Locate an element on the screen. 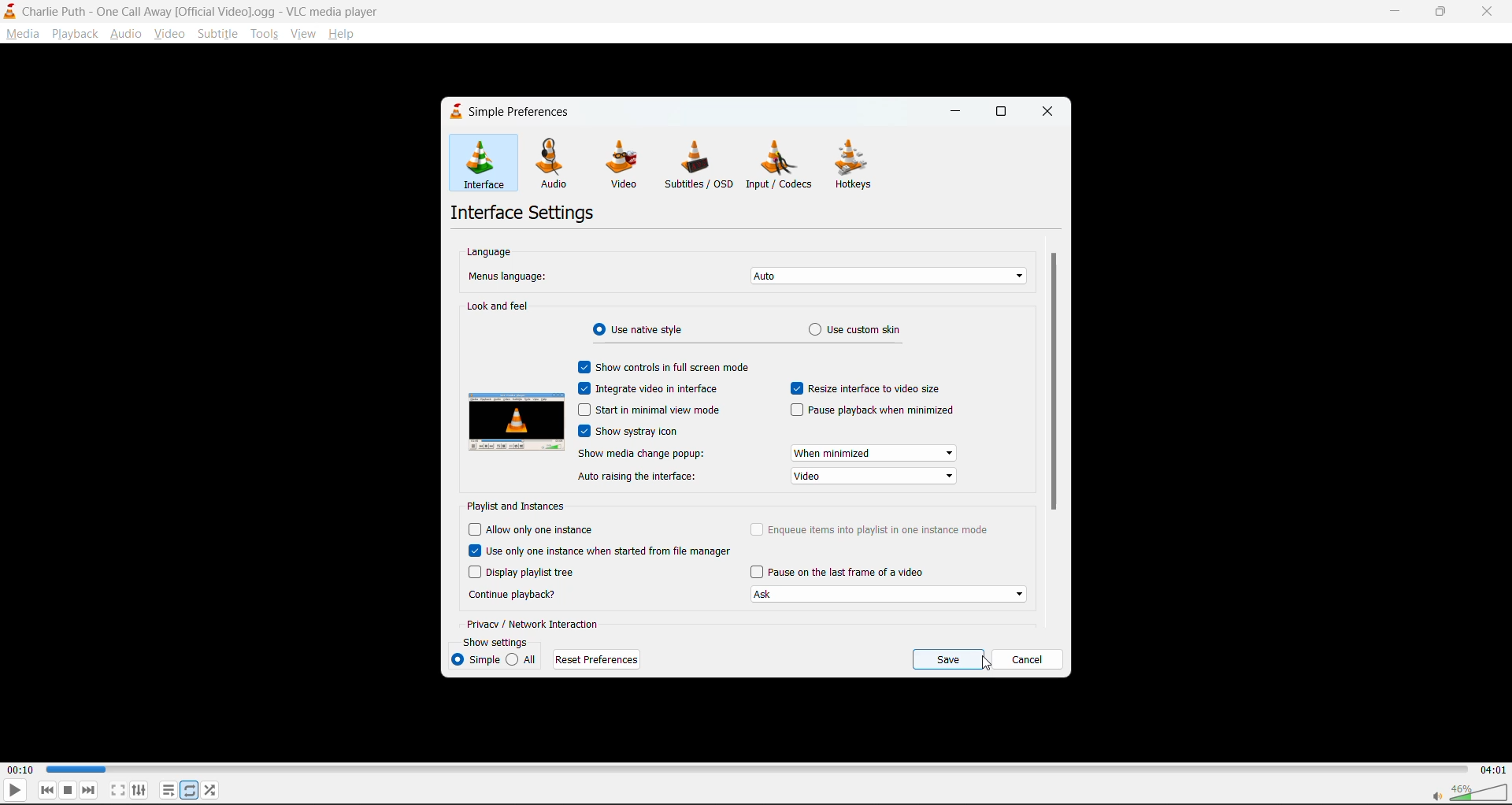 The width and height of the screenshot is (1512, 805). help is located at coordinates (345, 35).